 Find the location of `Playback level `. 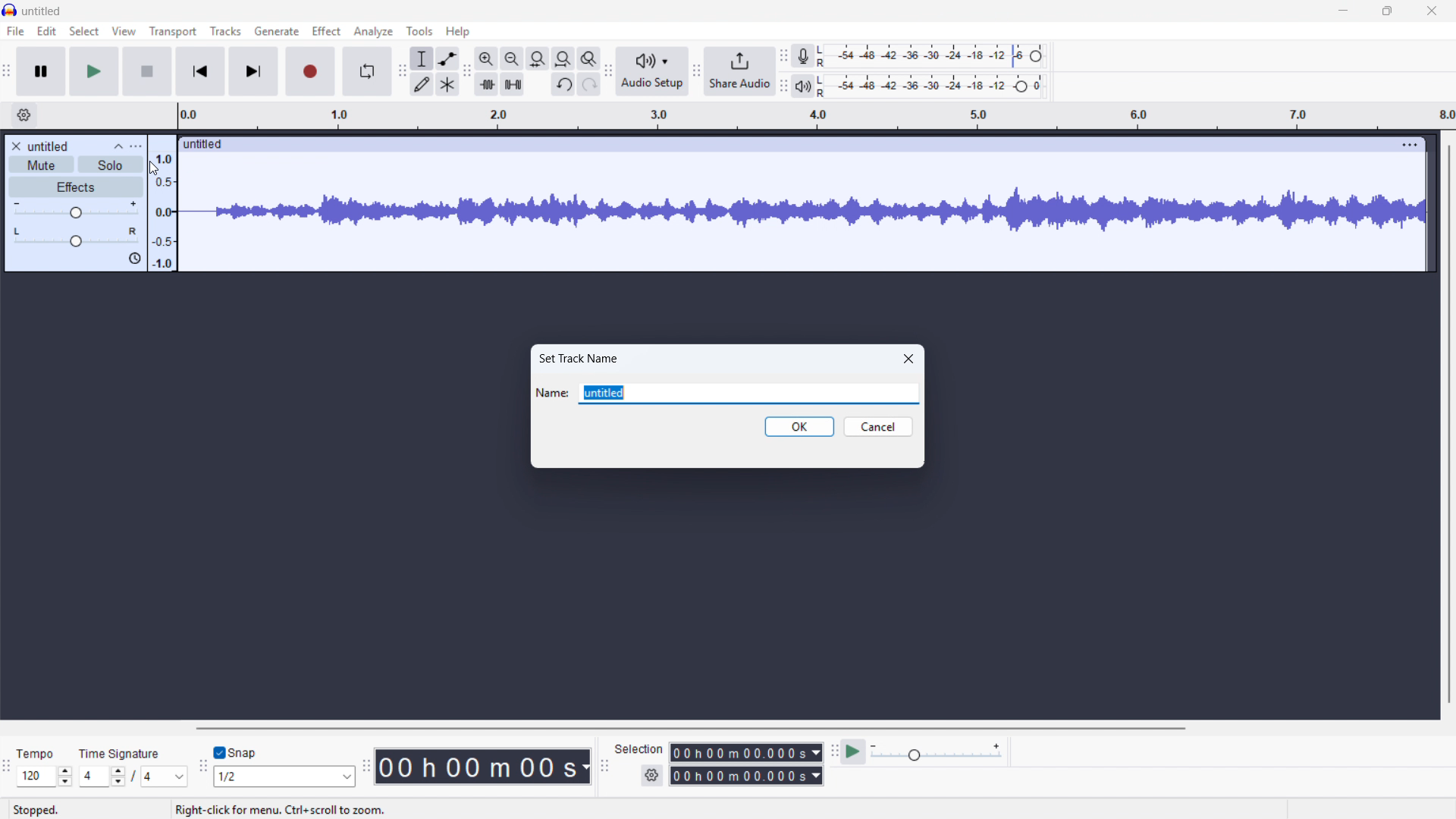

Playback level  is located at coordinates (934, 86).